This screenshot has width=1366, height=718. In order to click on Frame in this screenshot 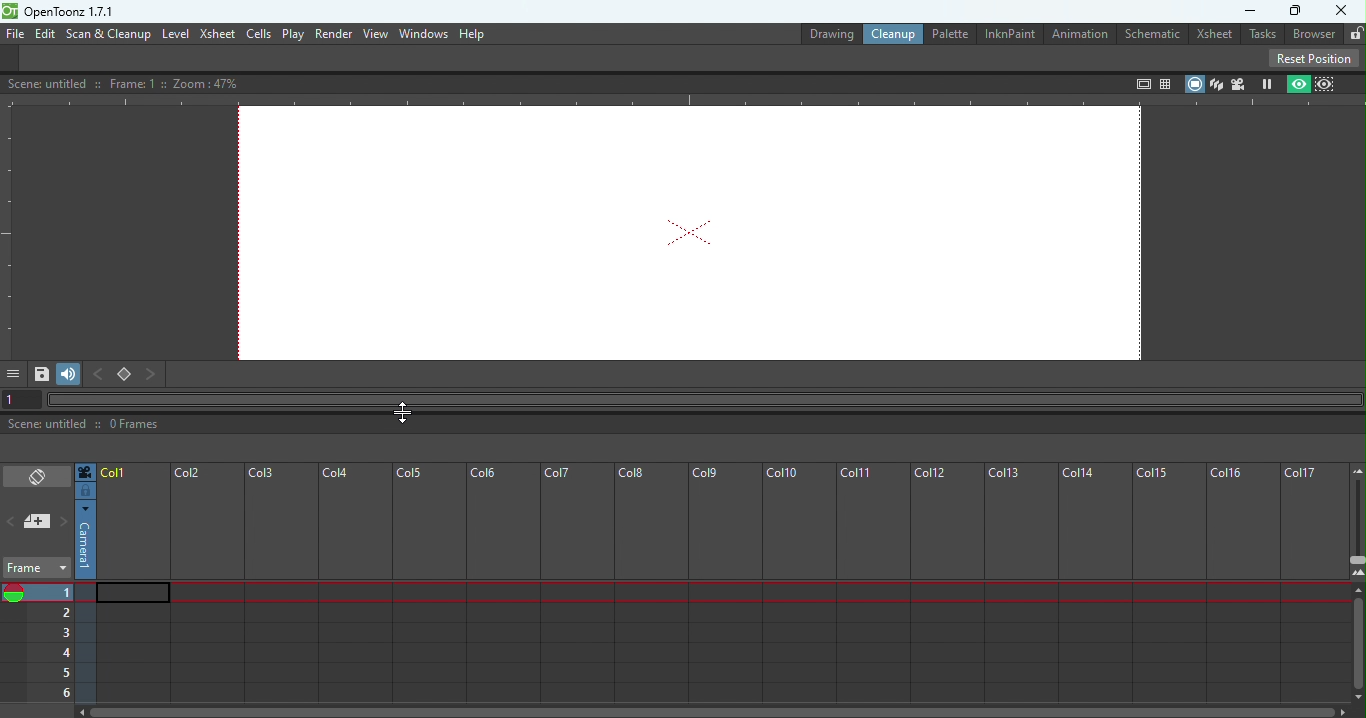, I will do `click(723, 581)`.